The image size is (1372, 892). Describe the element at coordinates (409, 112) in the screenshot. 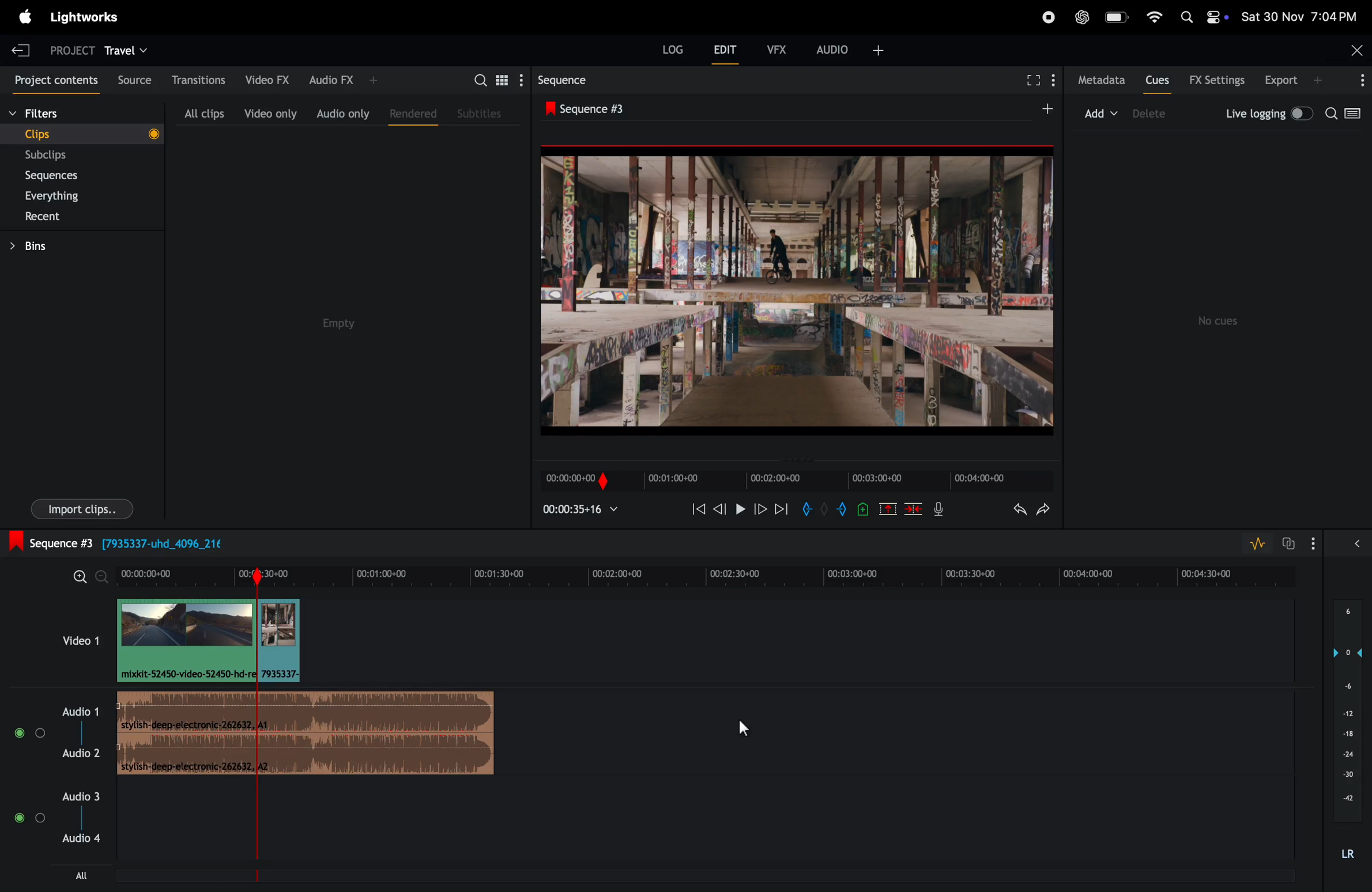

I see `rendered` at that location.